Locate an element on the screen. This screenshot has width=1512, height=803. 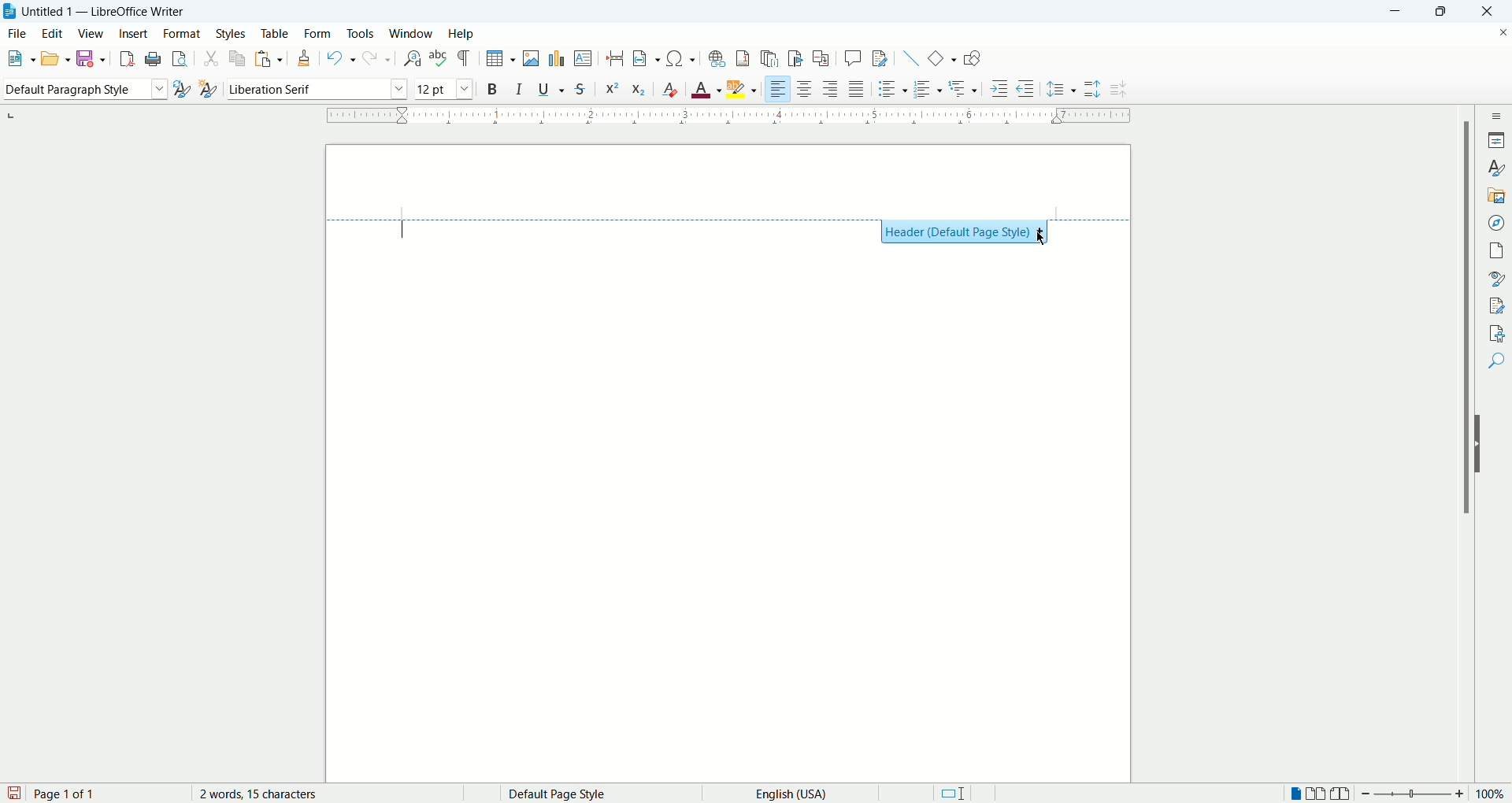
align center is located at coordinates (803, 88).